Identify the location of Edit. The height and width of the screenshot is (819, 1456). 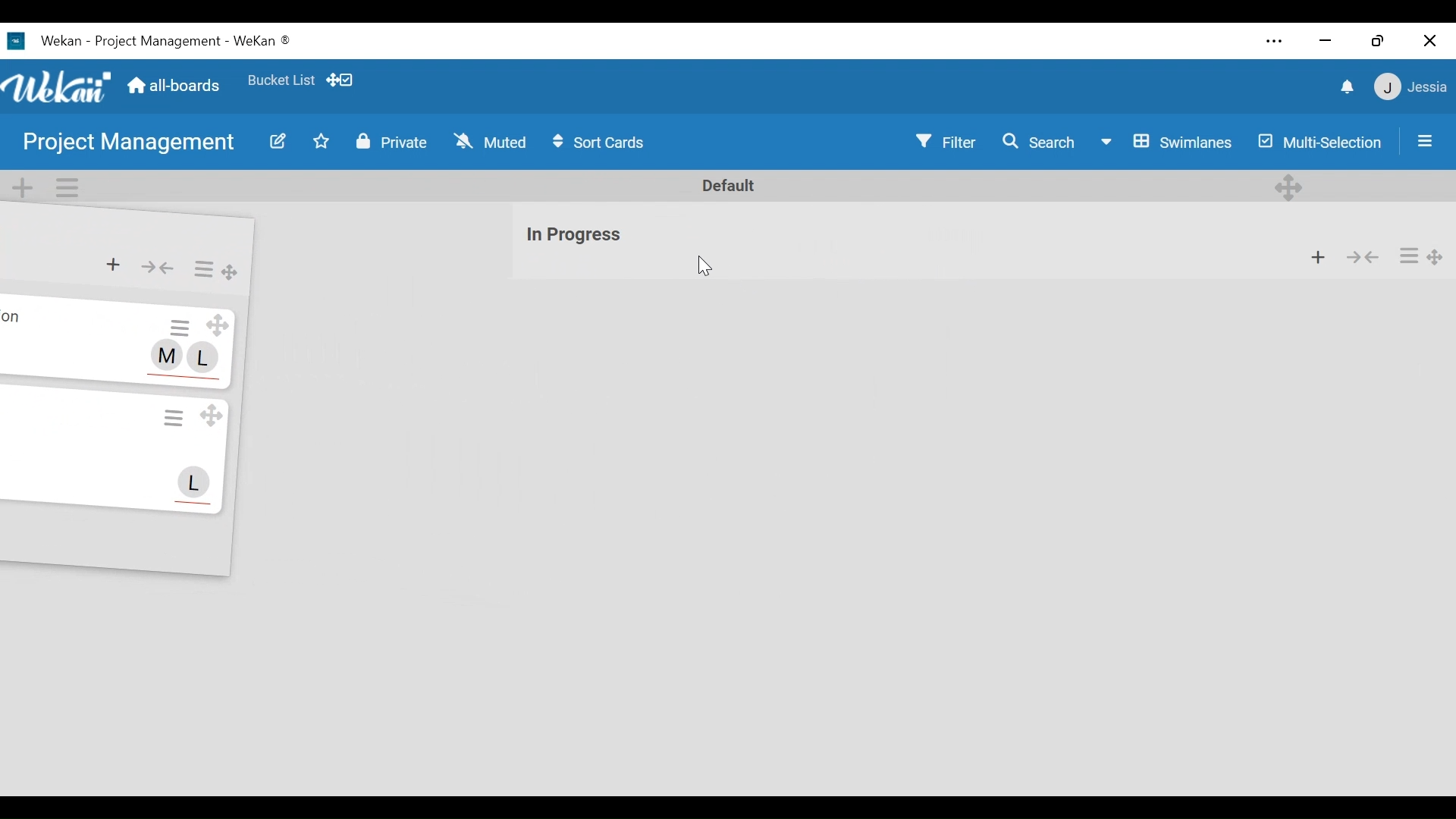
(279, 140).